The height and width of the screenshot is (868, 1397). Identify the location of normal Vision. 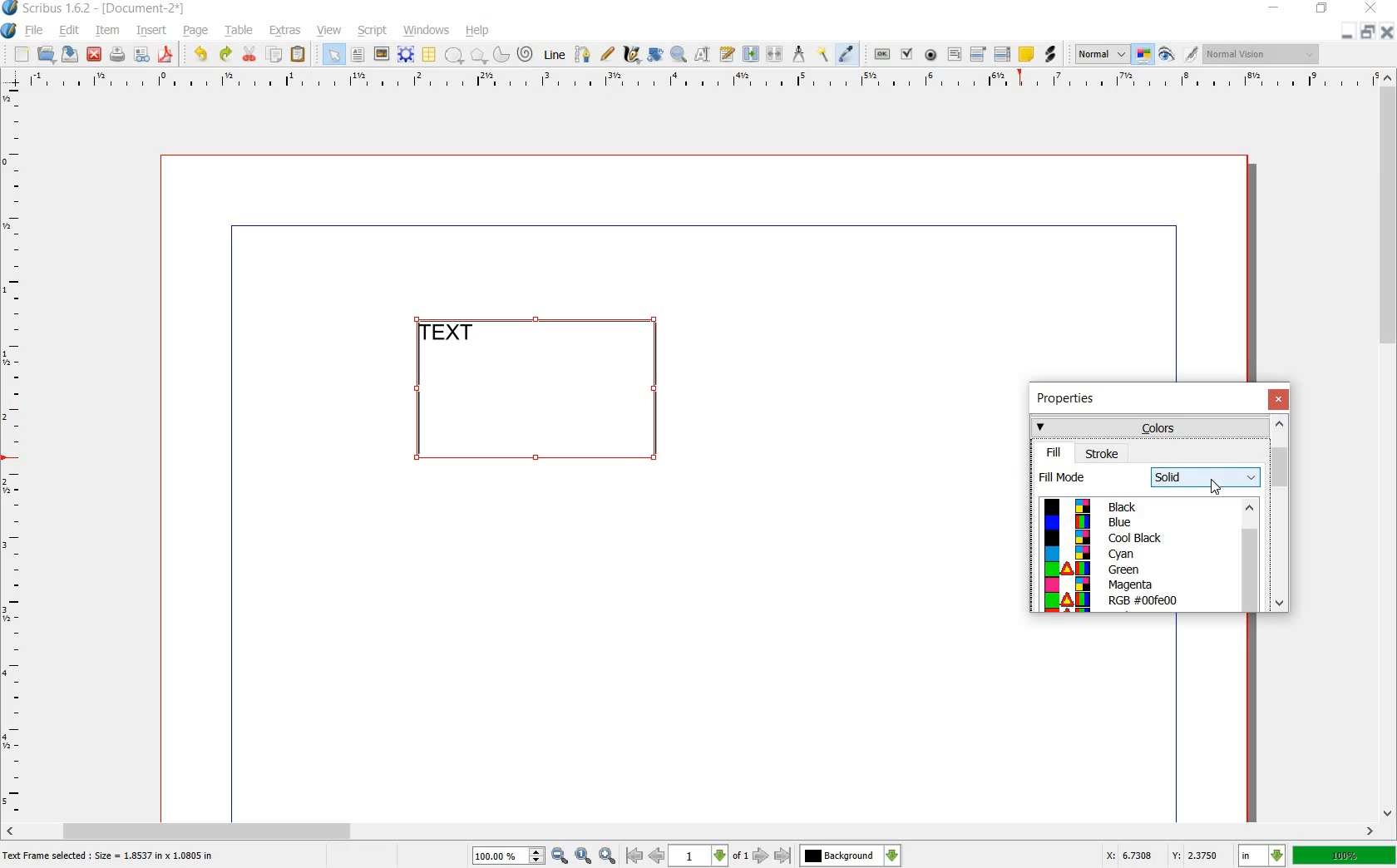
(1264, 53).